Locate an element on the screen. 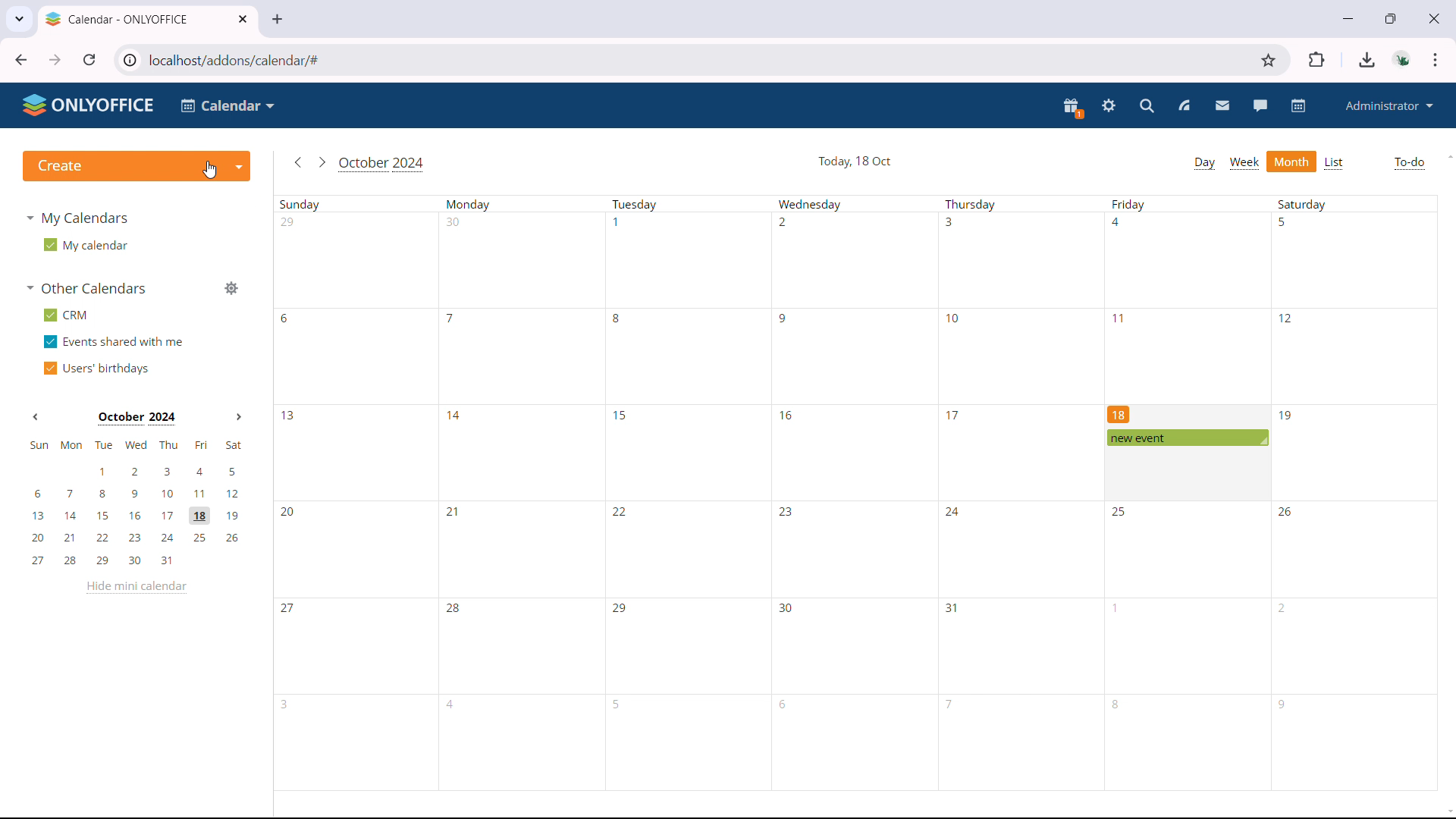 Image resolution: width=1456 pixels, height=819 pixels. view site information is located at coordinates (128, 60).